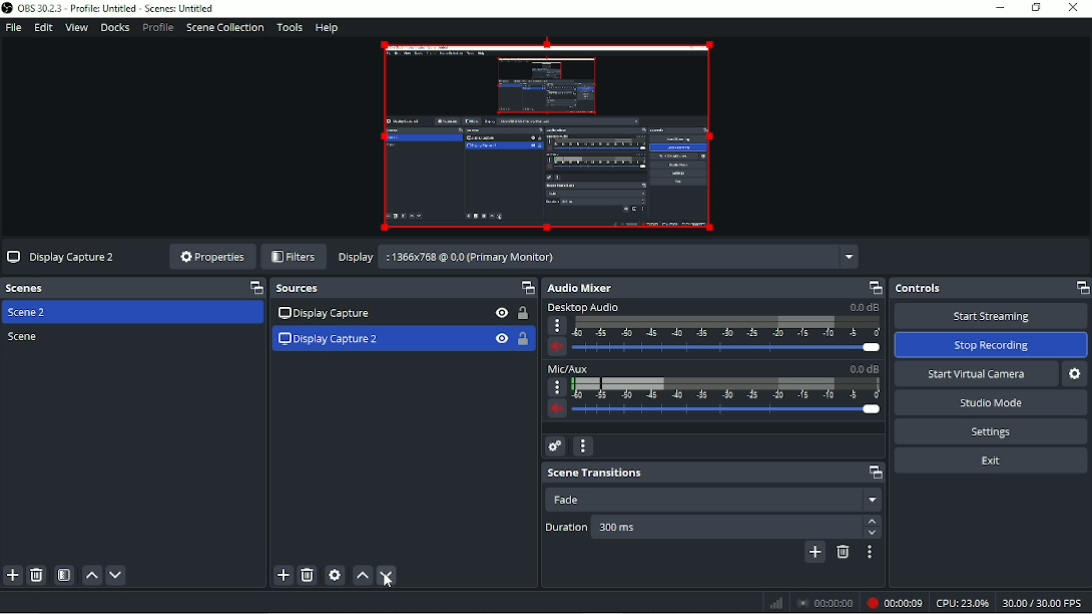 The width and height of the screenshot is (1092, 614). I want to click on File, so click(13, 28).